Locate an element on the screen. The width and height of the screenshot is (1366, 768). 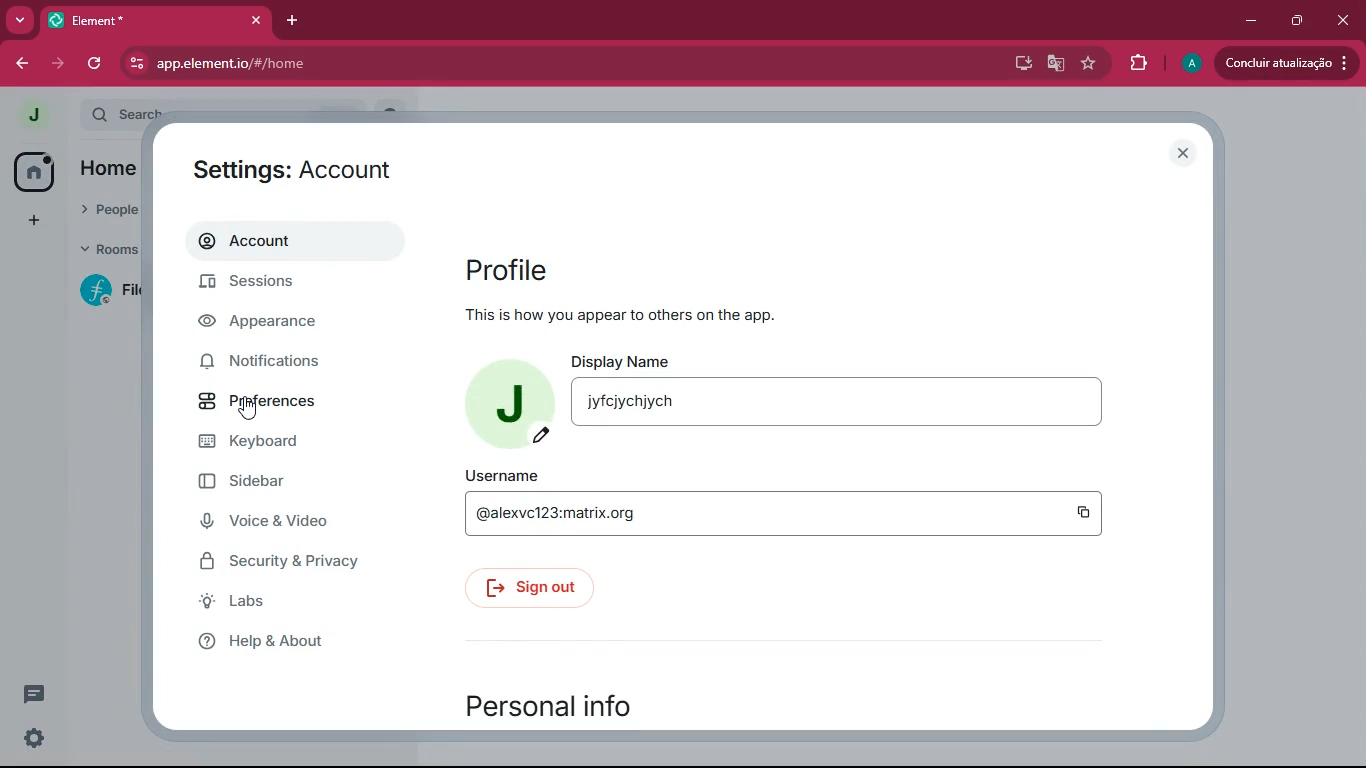
cursor  is located at coordinates (247, 409).